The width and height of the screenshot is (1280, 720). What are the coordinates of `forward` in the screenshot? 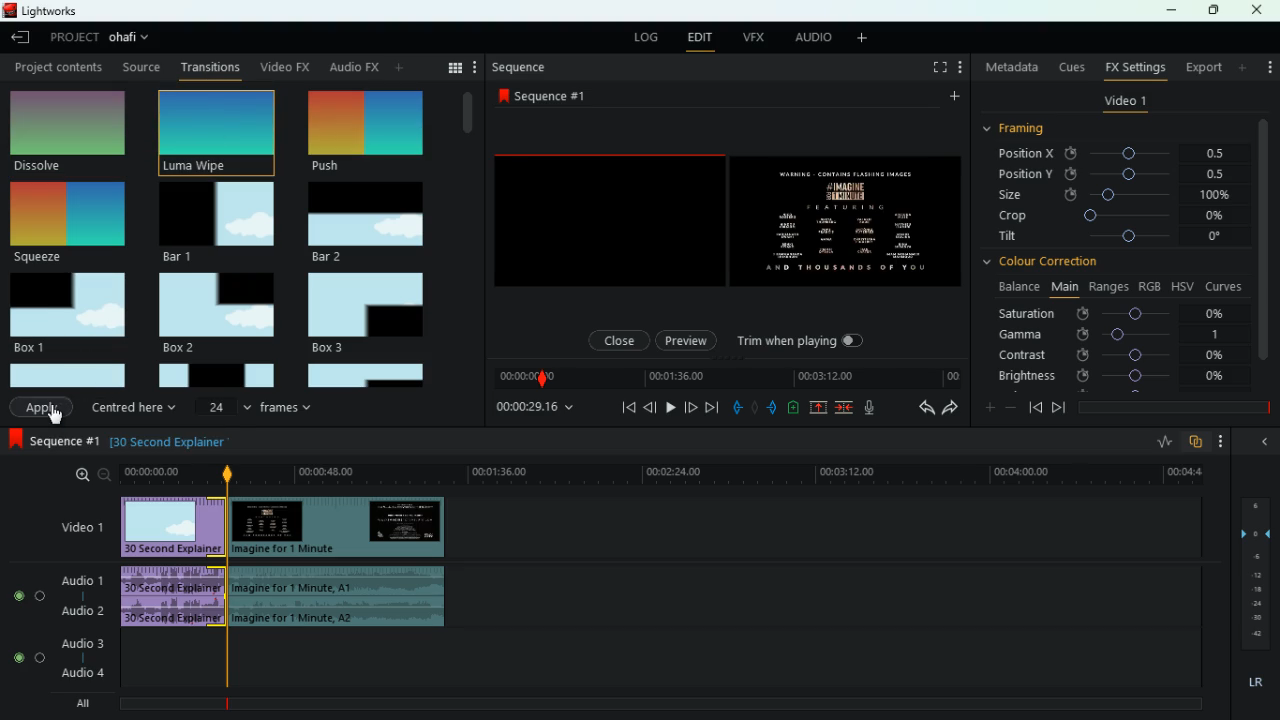 It's located at (711, 408).